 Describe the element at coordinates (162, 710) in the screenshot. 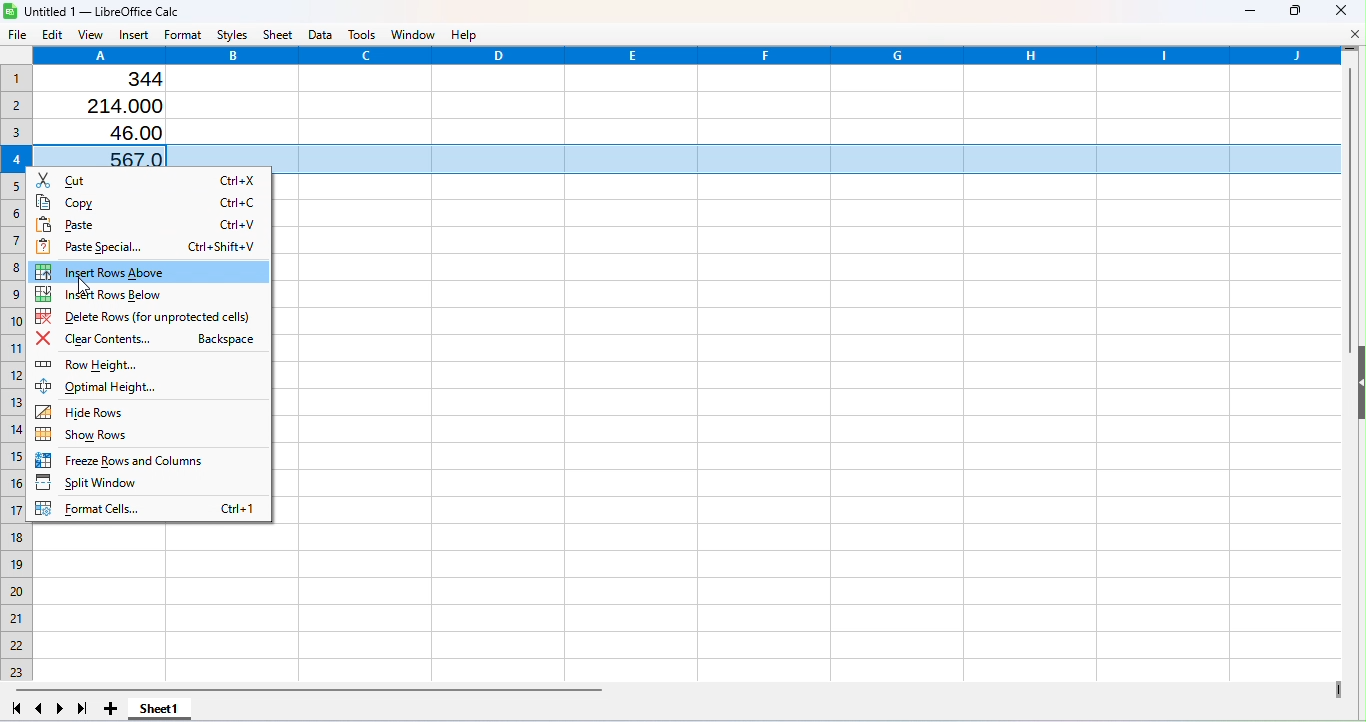

I see `Sheet1` at that location.